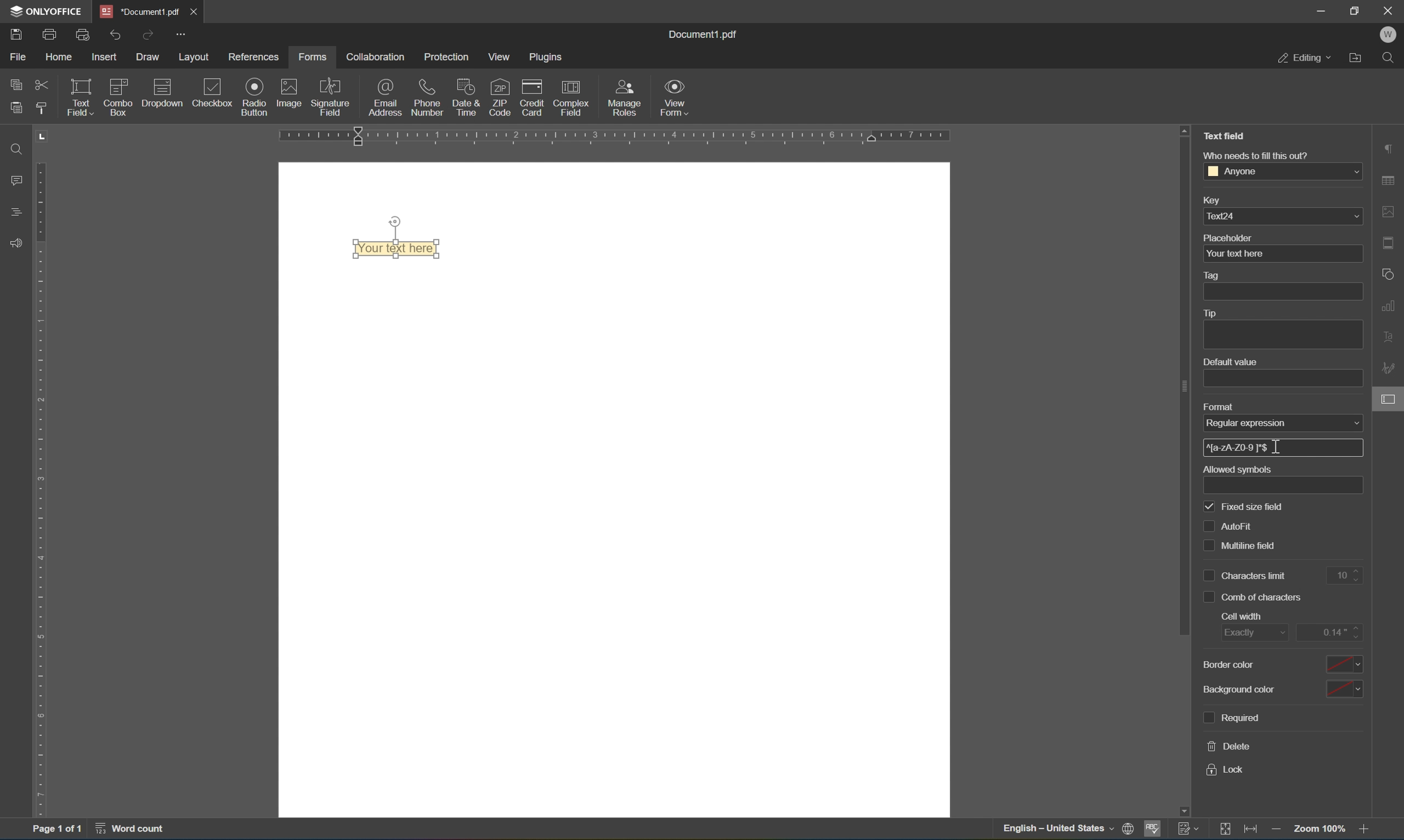 The width and height of the screenshot is (1404, 840). I want to click on references, so click(256, 57).